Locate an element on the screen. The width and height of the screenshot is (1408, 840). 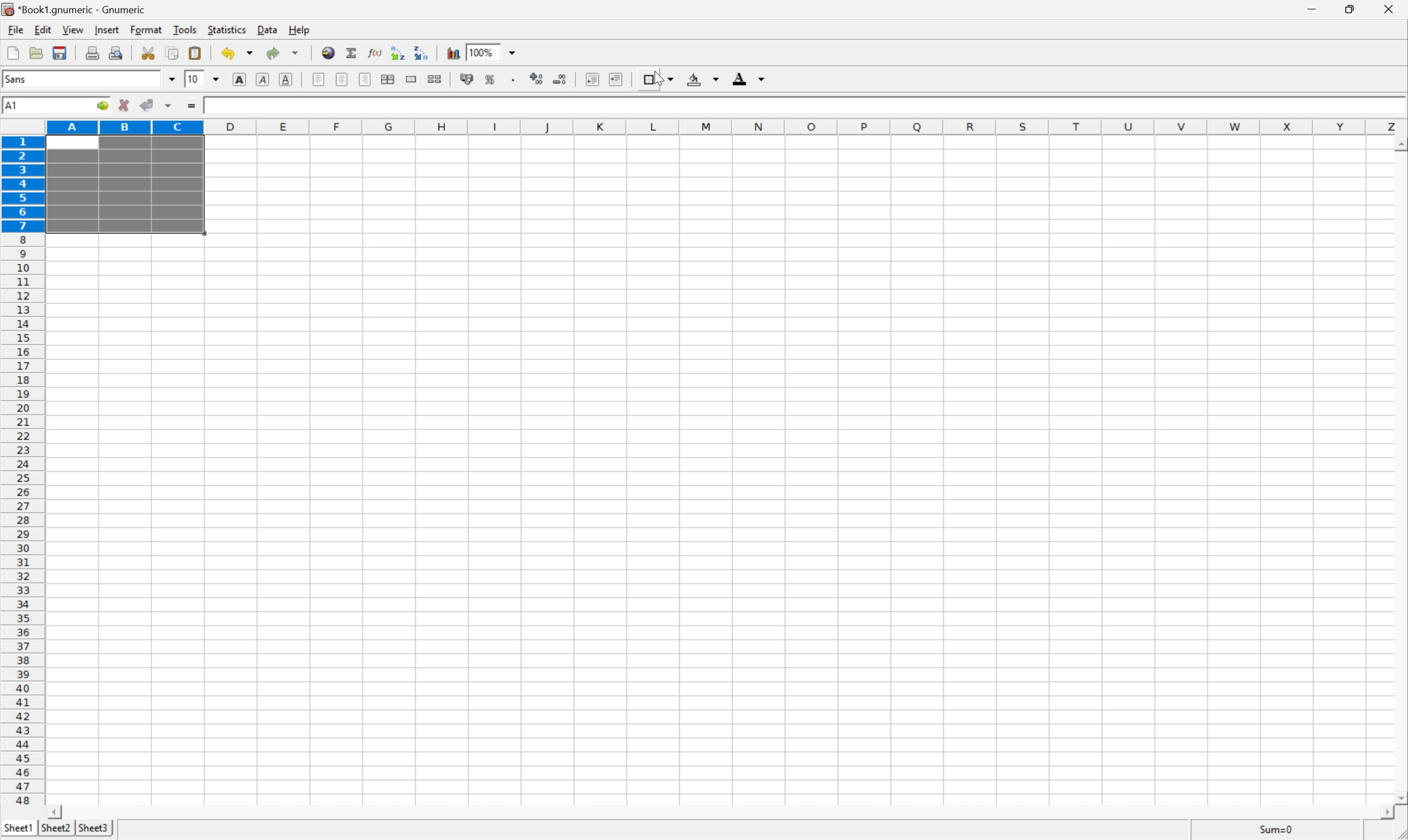
format selection as accounting is located at coordinates (468, 79).